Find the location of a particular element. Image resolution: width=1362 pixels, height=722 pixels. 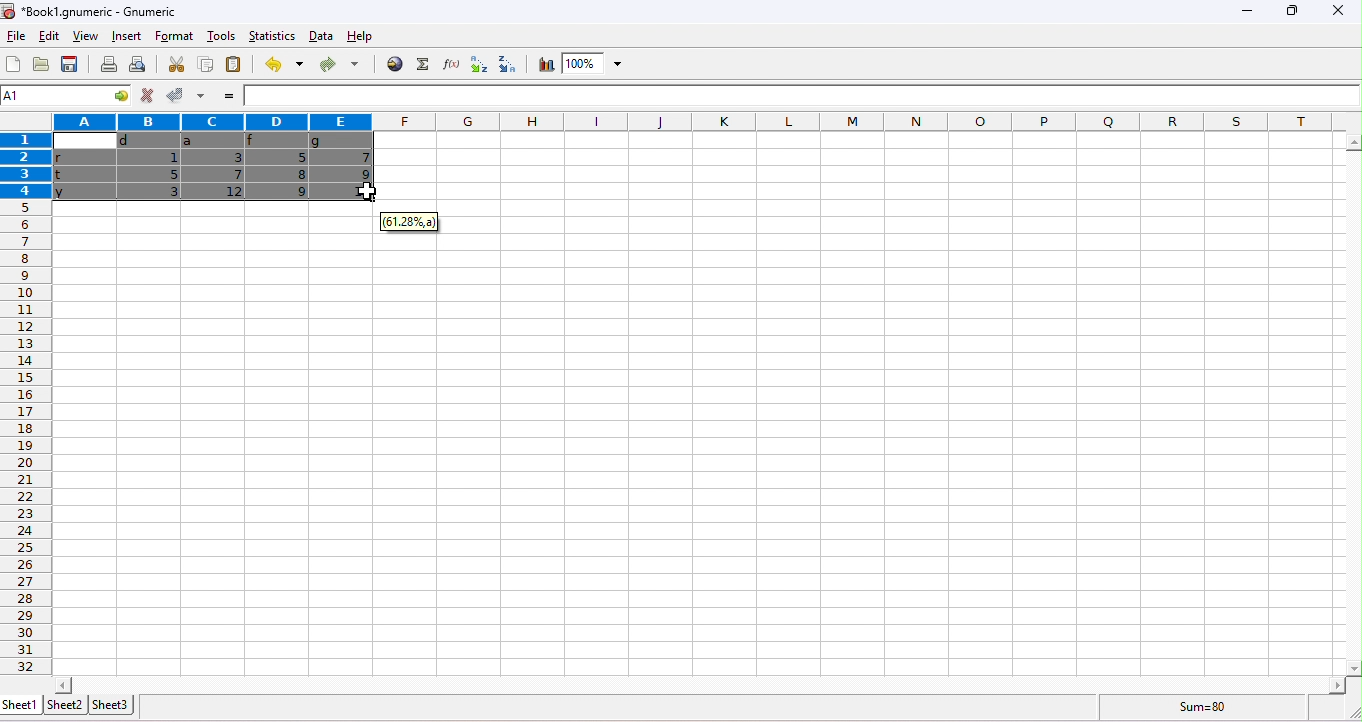

view is located at coordinates (85, 36).